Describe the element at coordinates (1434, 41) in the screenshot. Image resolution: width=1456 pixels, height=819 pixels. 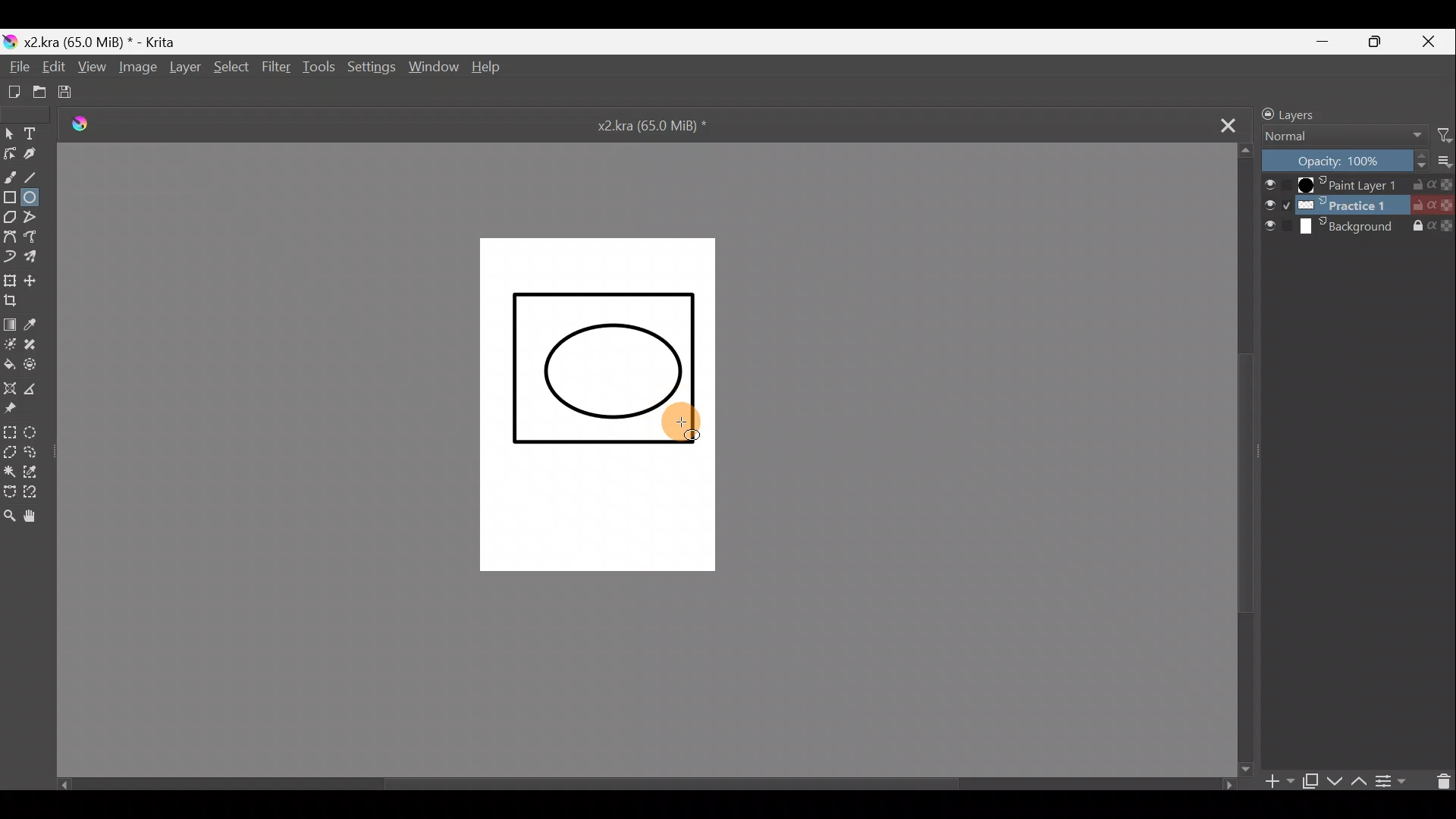
I see `Close` at that location.